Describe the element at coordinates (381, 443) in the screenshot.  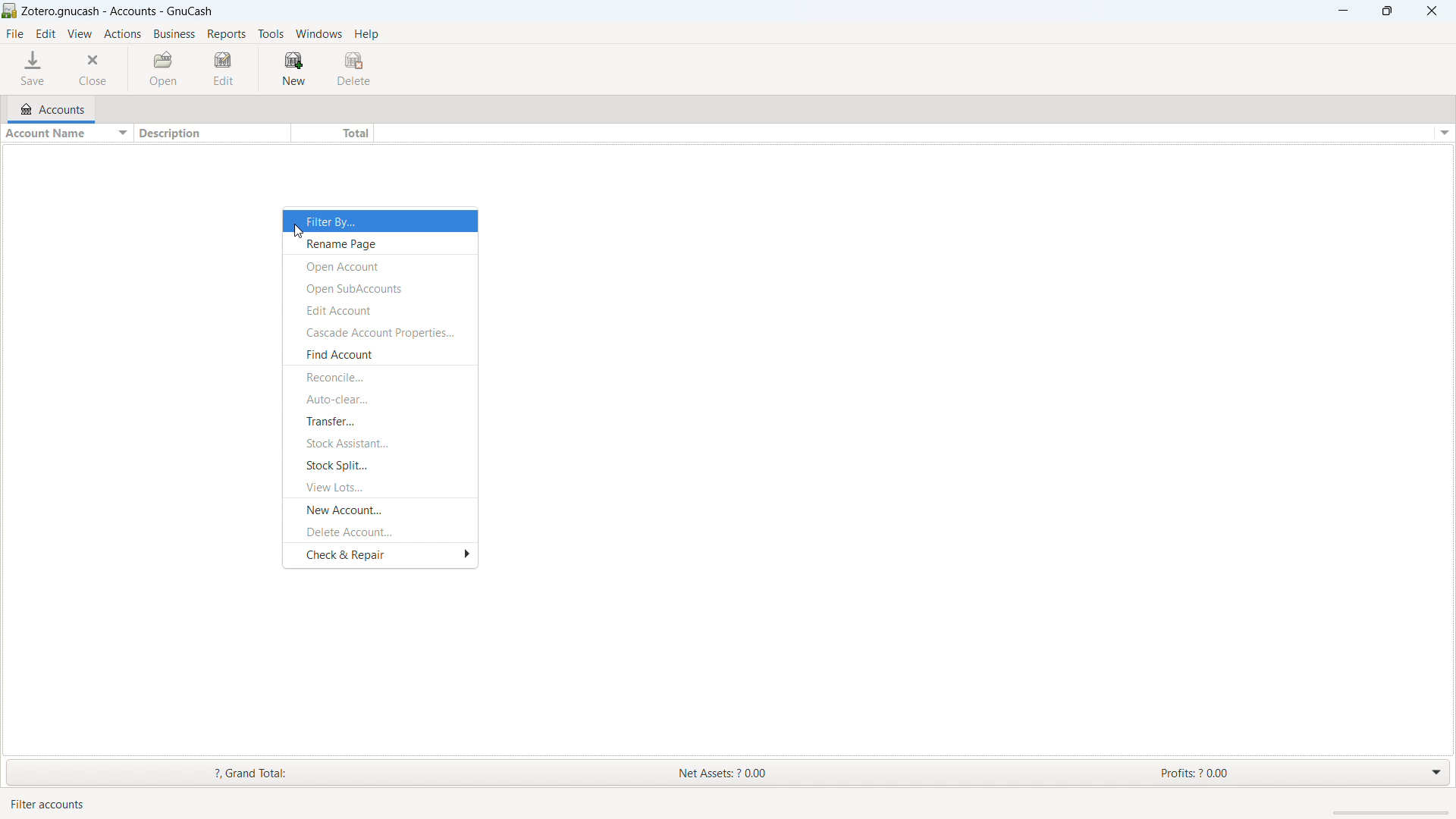
I see `stock assistant` at that location.